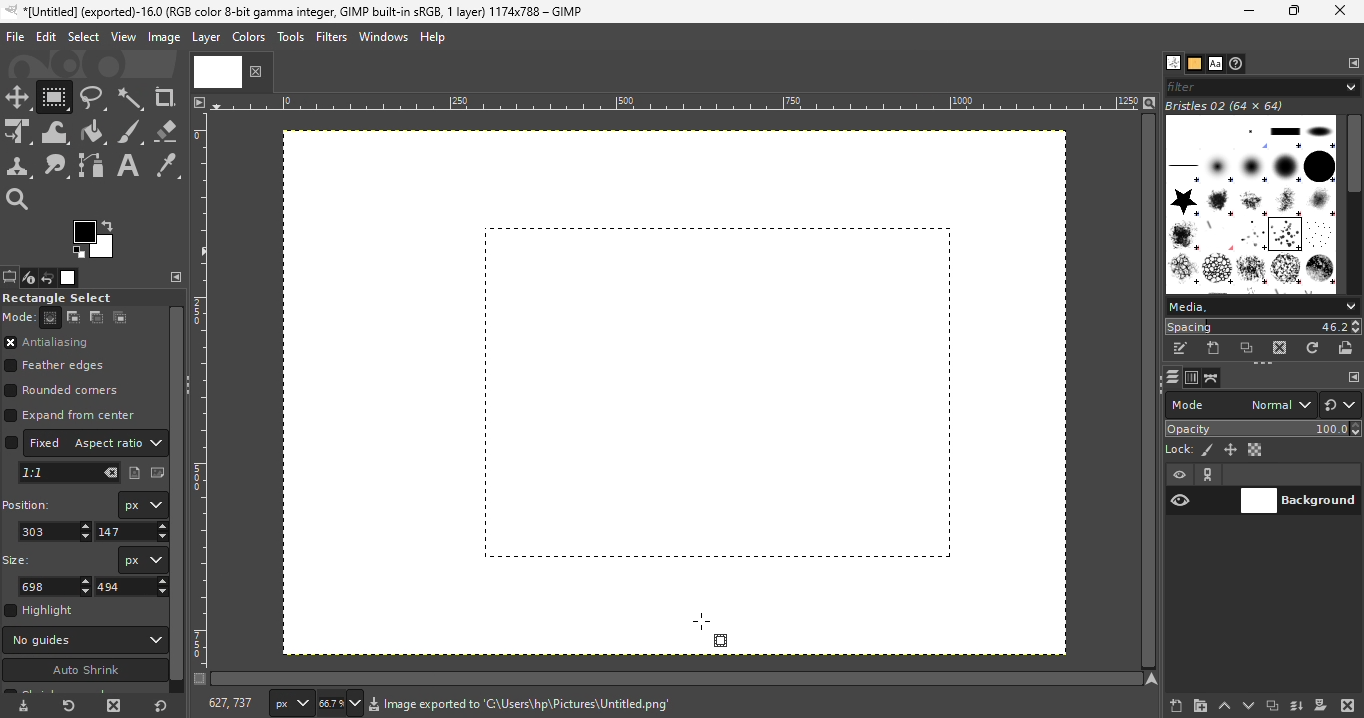 The height and width of the screenshot is (718, 1364). Describe the element at coordinates (83, 670) in the screenshot. I see `Auto shrink` at that location.